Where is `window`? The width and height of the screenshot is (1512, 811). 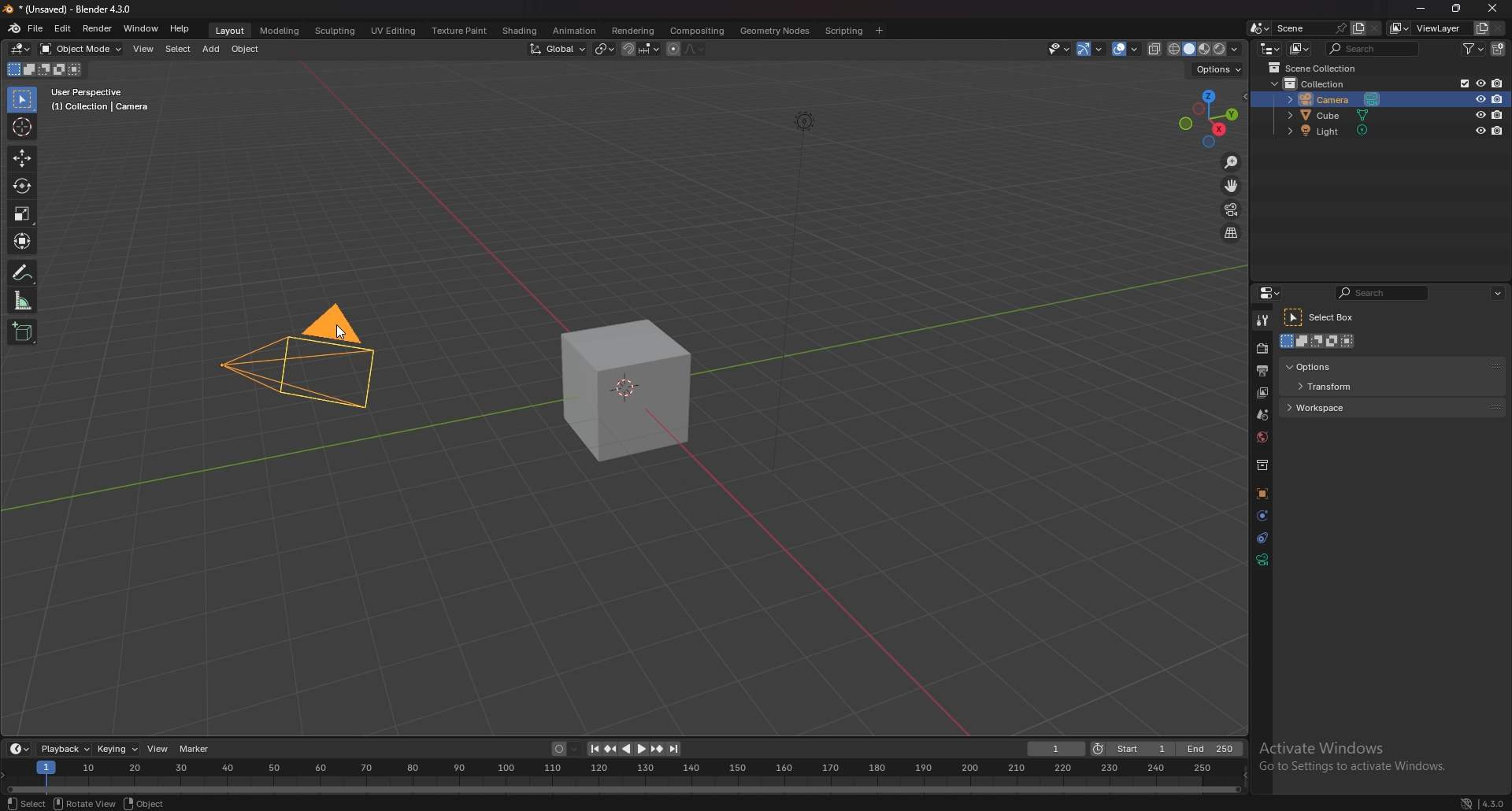 window is located at coordinates (143, 29).